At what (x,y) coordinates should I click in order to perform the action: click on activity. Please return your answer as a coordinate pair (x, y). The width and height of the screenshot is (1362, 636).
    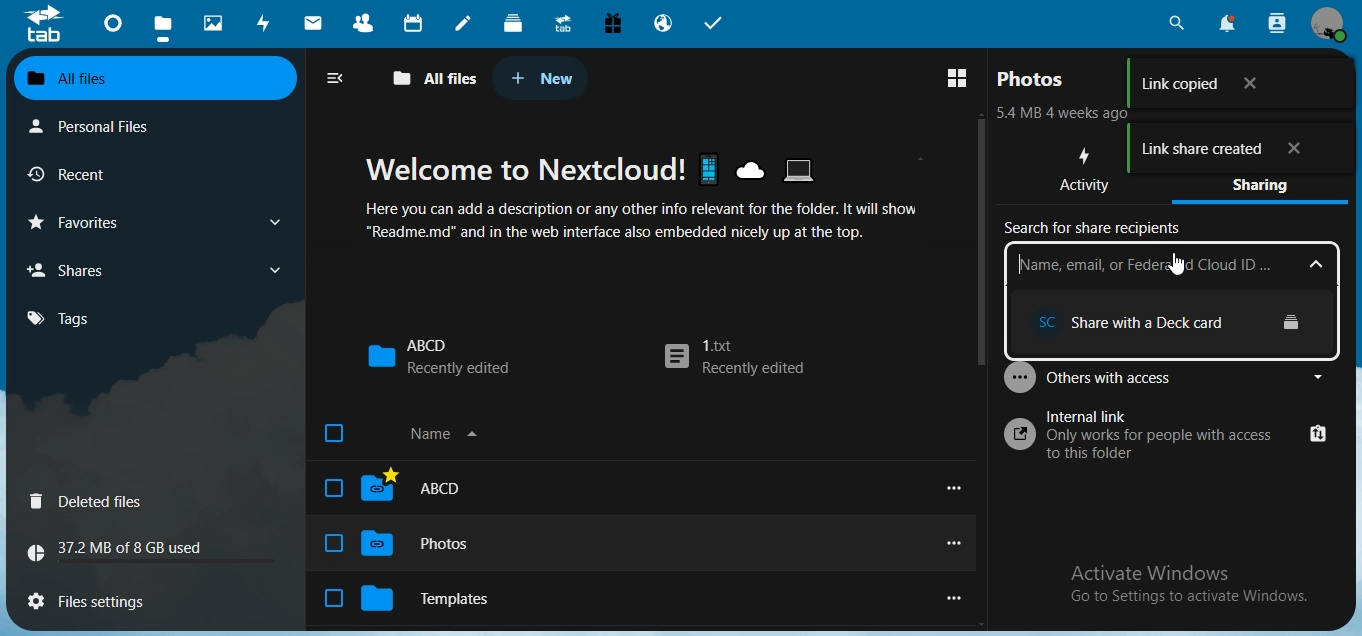
    Looking at the image, I should click on (268, 23).